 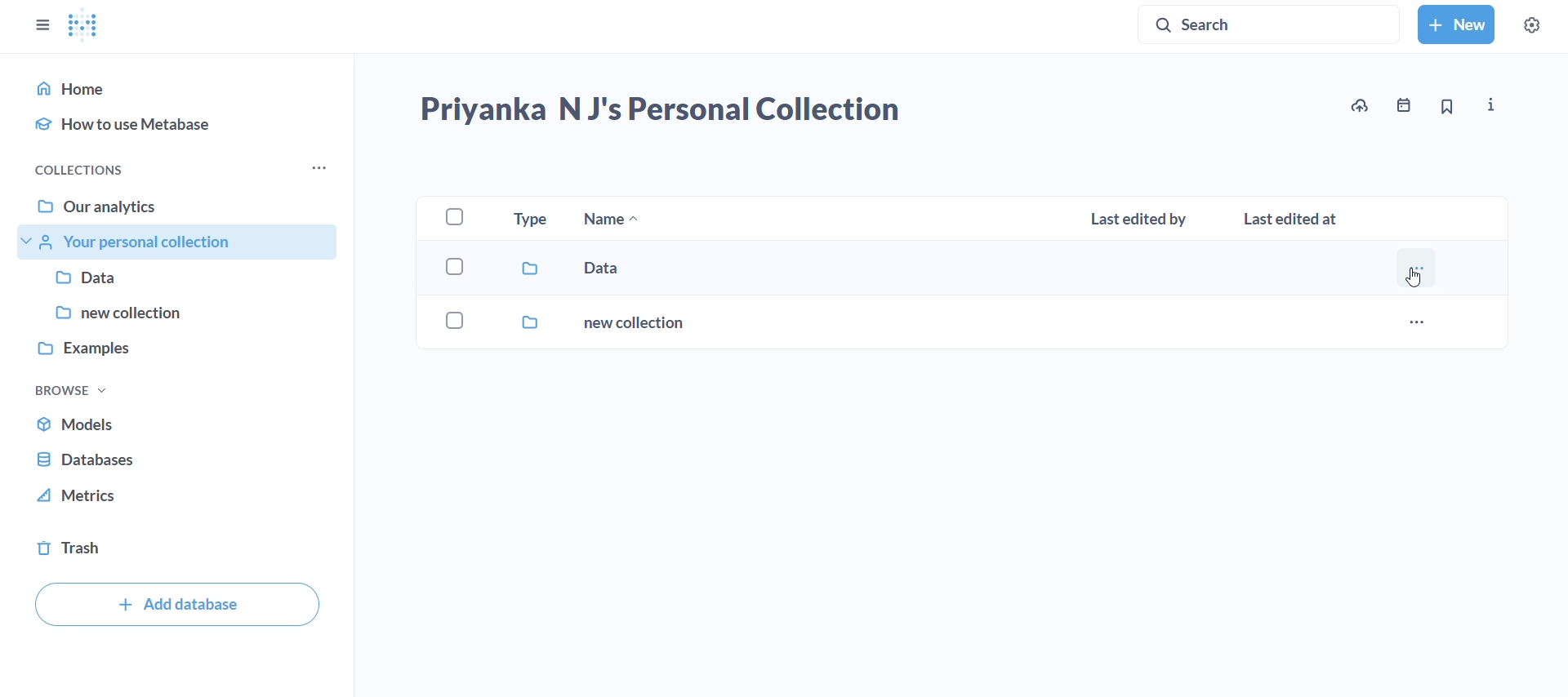 What do you see at coordinates (182, 279) in the screenshot?
I see `data` at bounding box center [182, 279].